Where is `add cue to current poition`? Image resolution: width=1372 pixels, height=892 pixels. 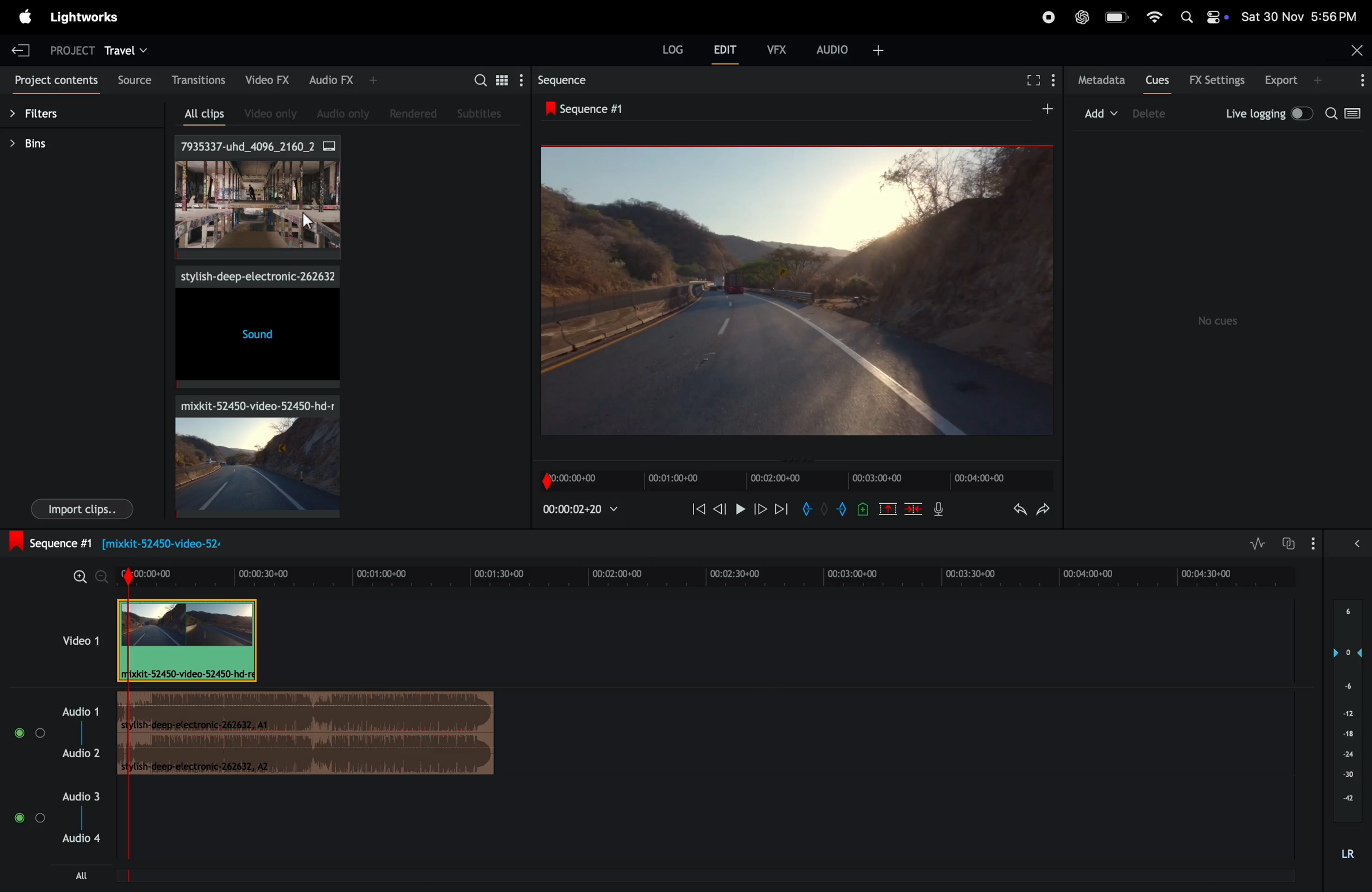 add cue to current poition is located at coordinates (863, 509).